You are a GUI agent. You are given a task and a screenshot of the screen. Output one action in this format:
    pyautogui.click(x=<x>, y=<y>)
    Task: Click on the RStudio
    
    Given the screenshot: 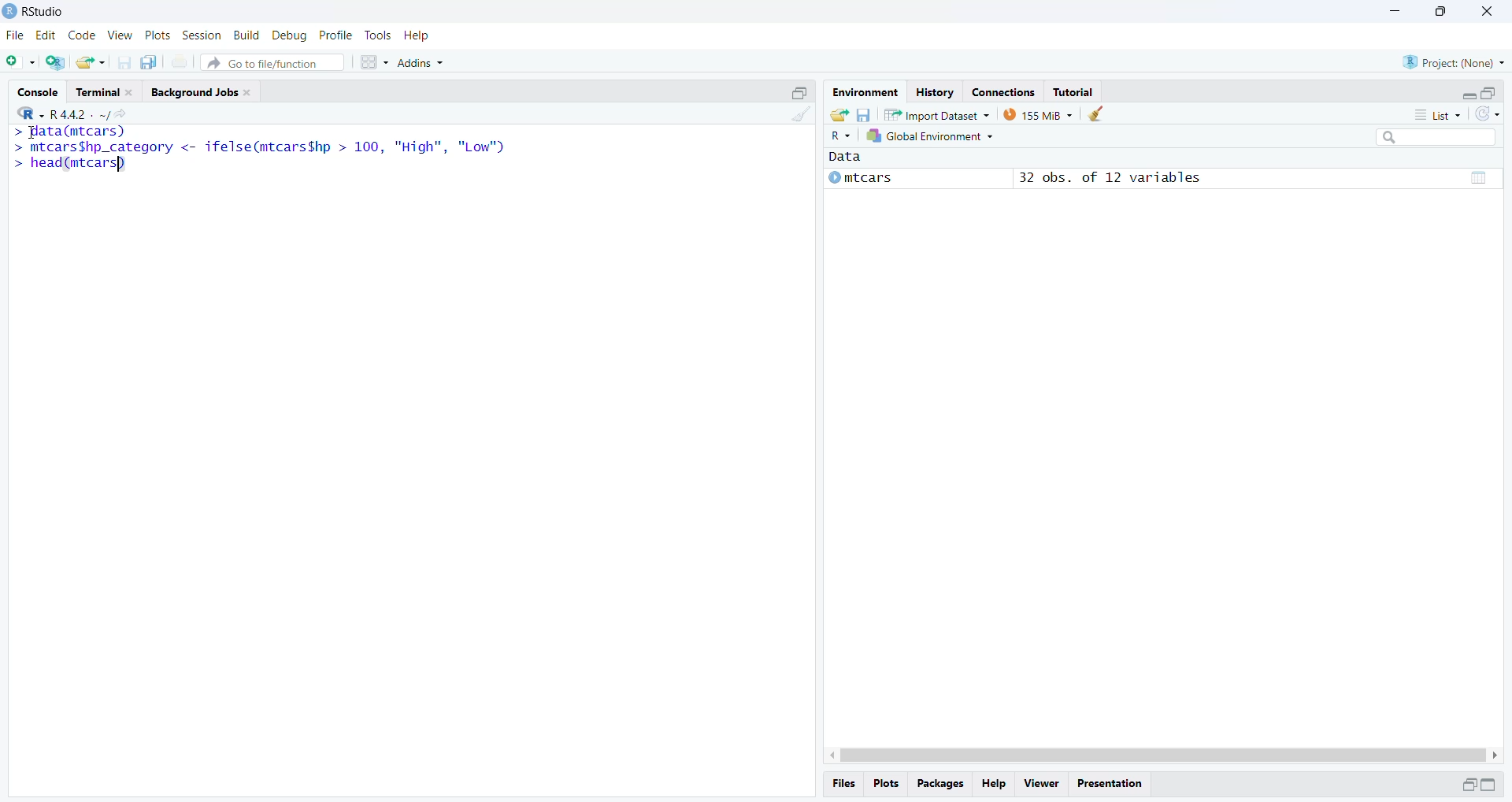 What is the action you would take?
    pyautogui.click(x=42, y=12)
    